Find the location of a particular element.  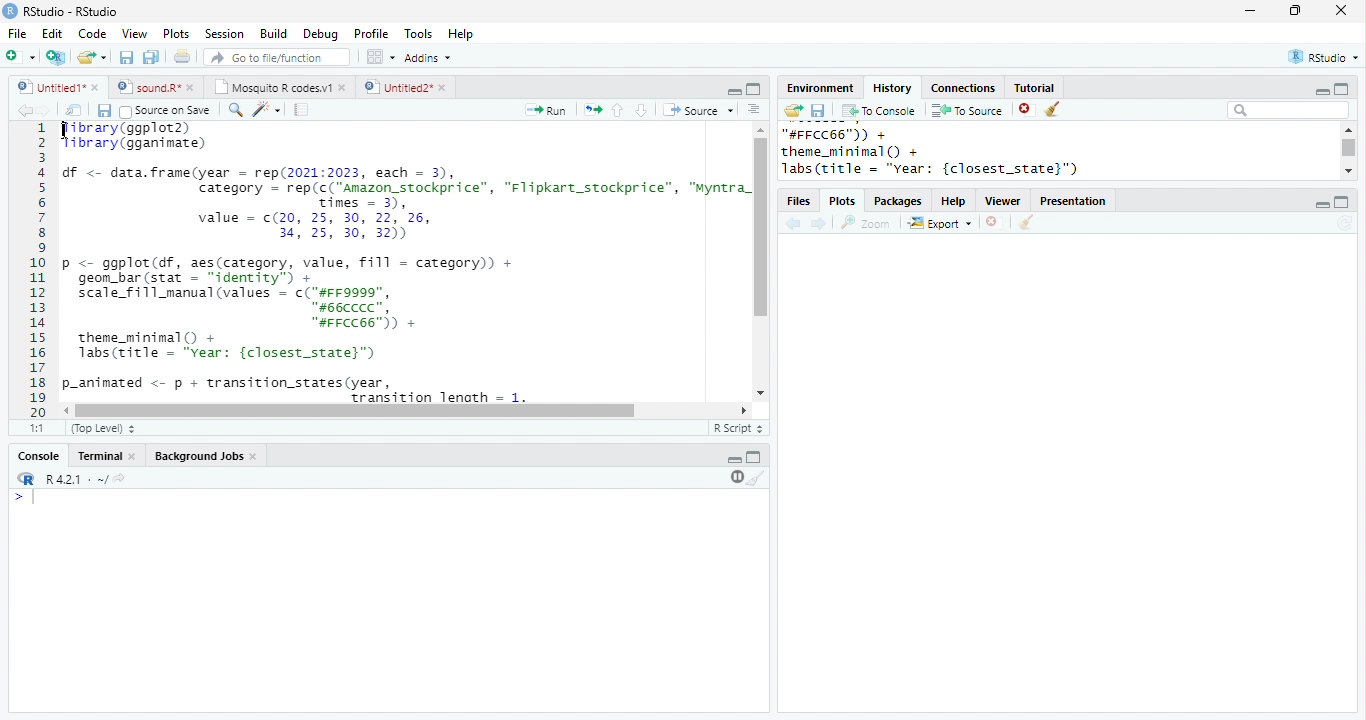

df <- data.frame(year = rep(2021:2023, each = 3),
category = rep(c("Amazon_stockprice”, "Flipkart_stockprice”, “Myntra_
Times = 3). is located at coordinates (406, 186).